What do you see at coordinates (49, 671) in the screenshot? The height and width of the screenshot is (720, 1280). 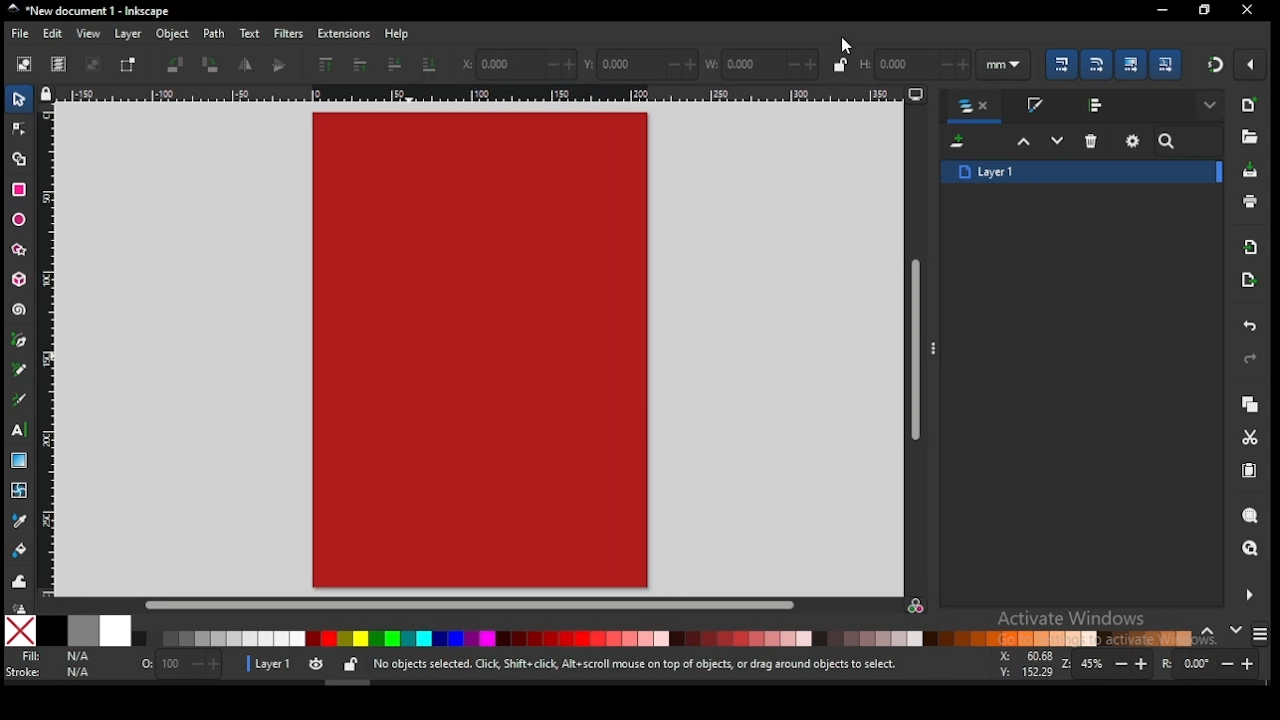 I see `stroke color` at bounding box center [49, 671].